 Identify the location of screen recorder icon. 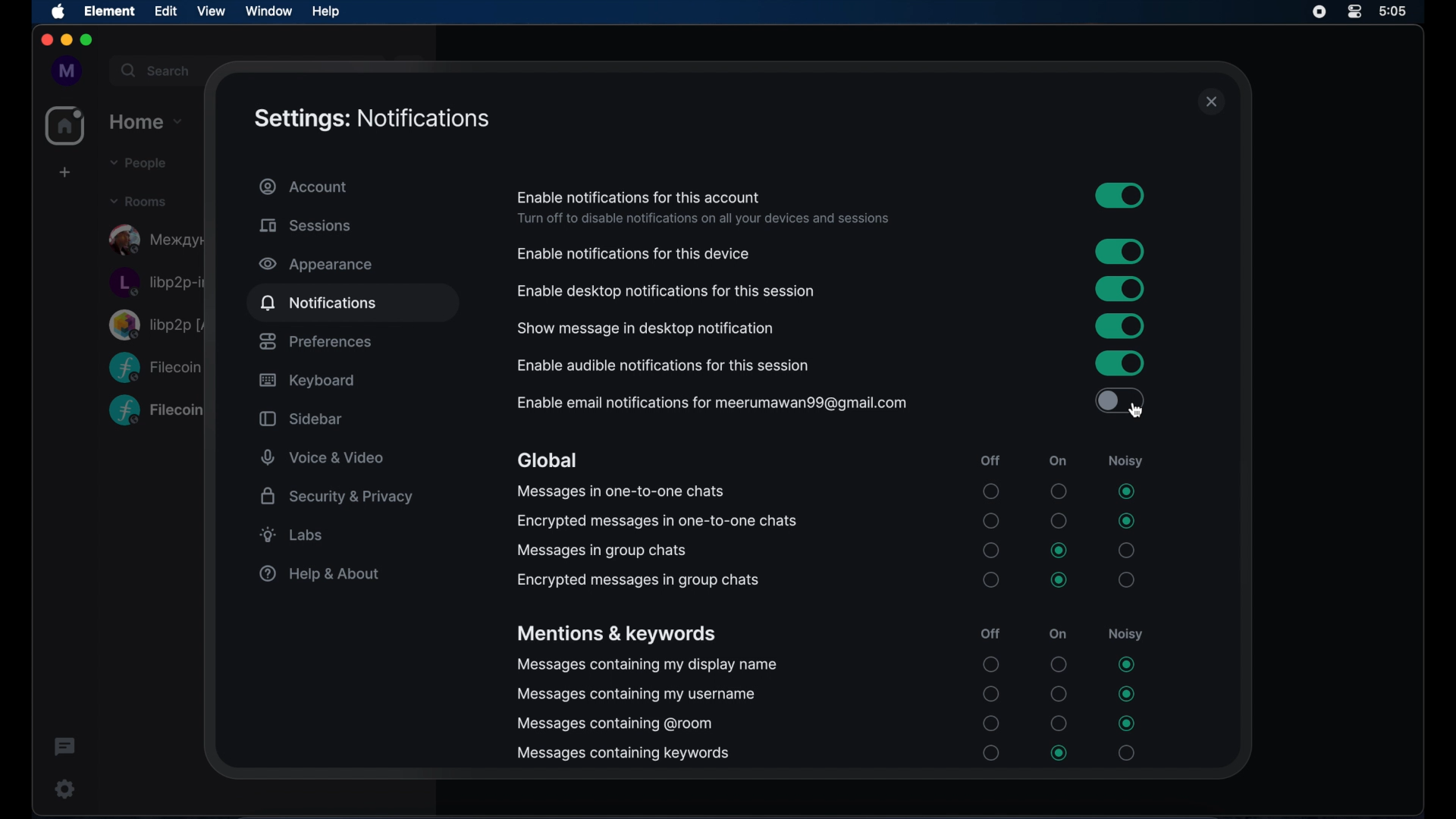
(1319, 12).